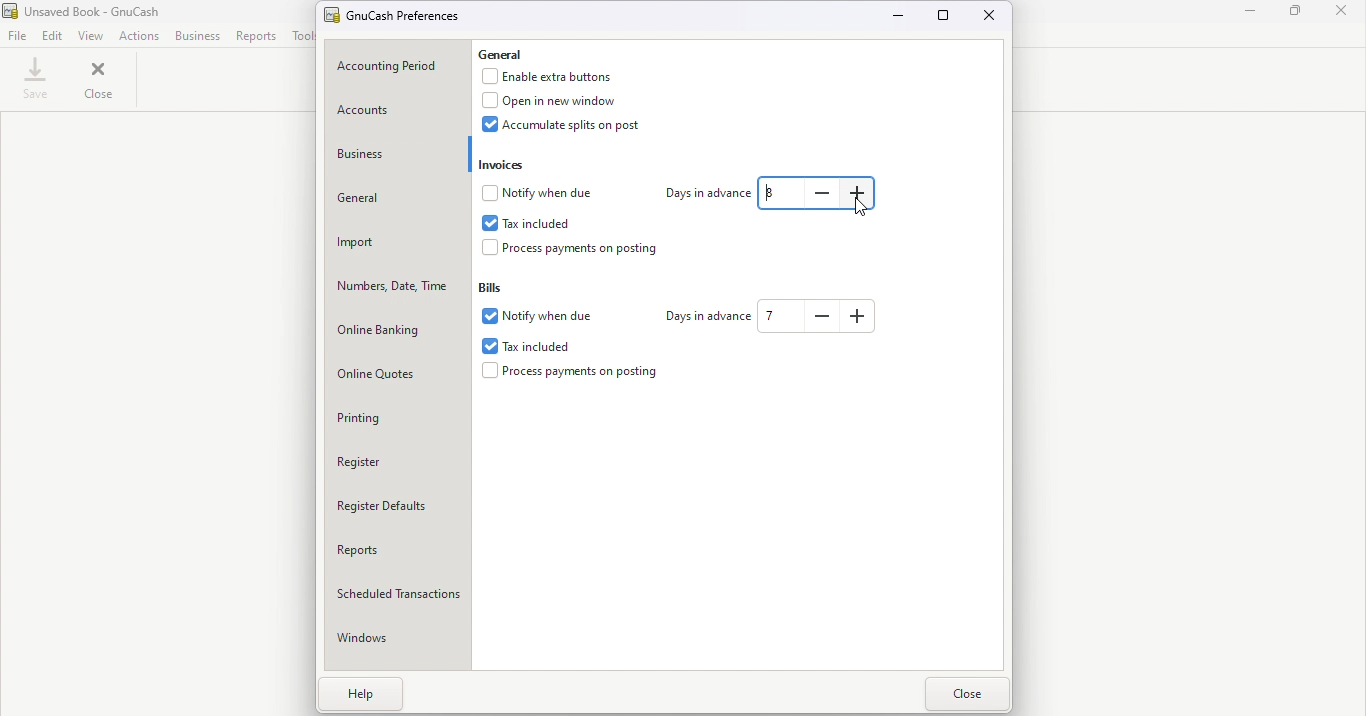 Image resolution: width=1366 pixels, height=716 pixels. Describe the element at coordinates (396, 200) in the screenshot. I see `General` at that location.